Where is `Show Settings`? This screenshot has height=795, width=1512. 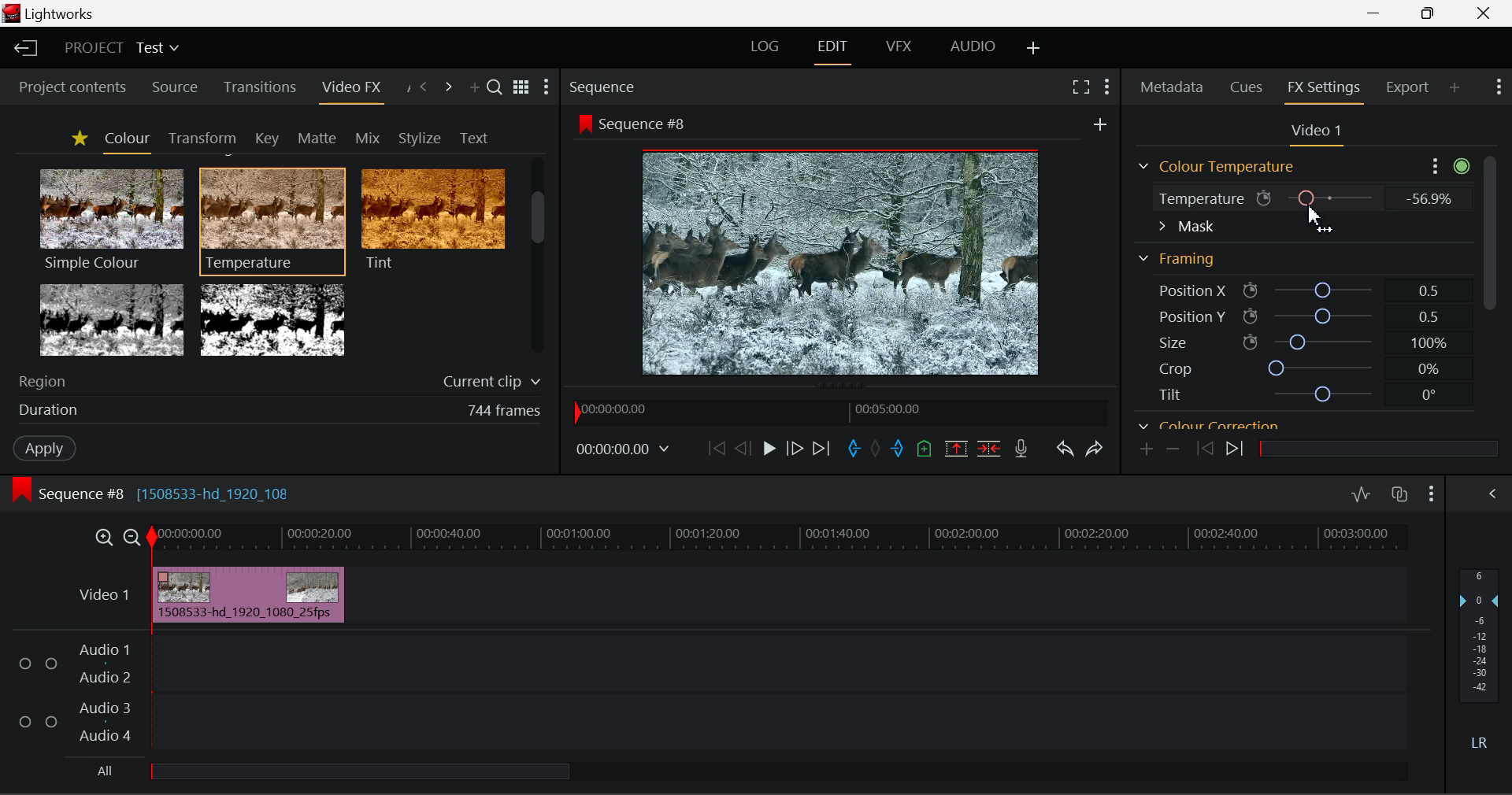 Show Settings is located at coordinates (1106, 88).